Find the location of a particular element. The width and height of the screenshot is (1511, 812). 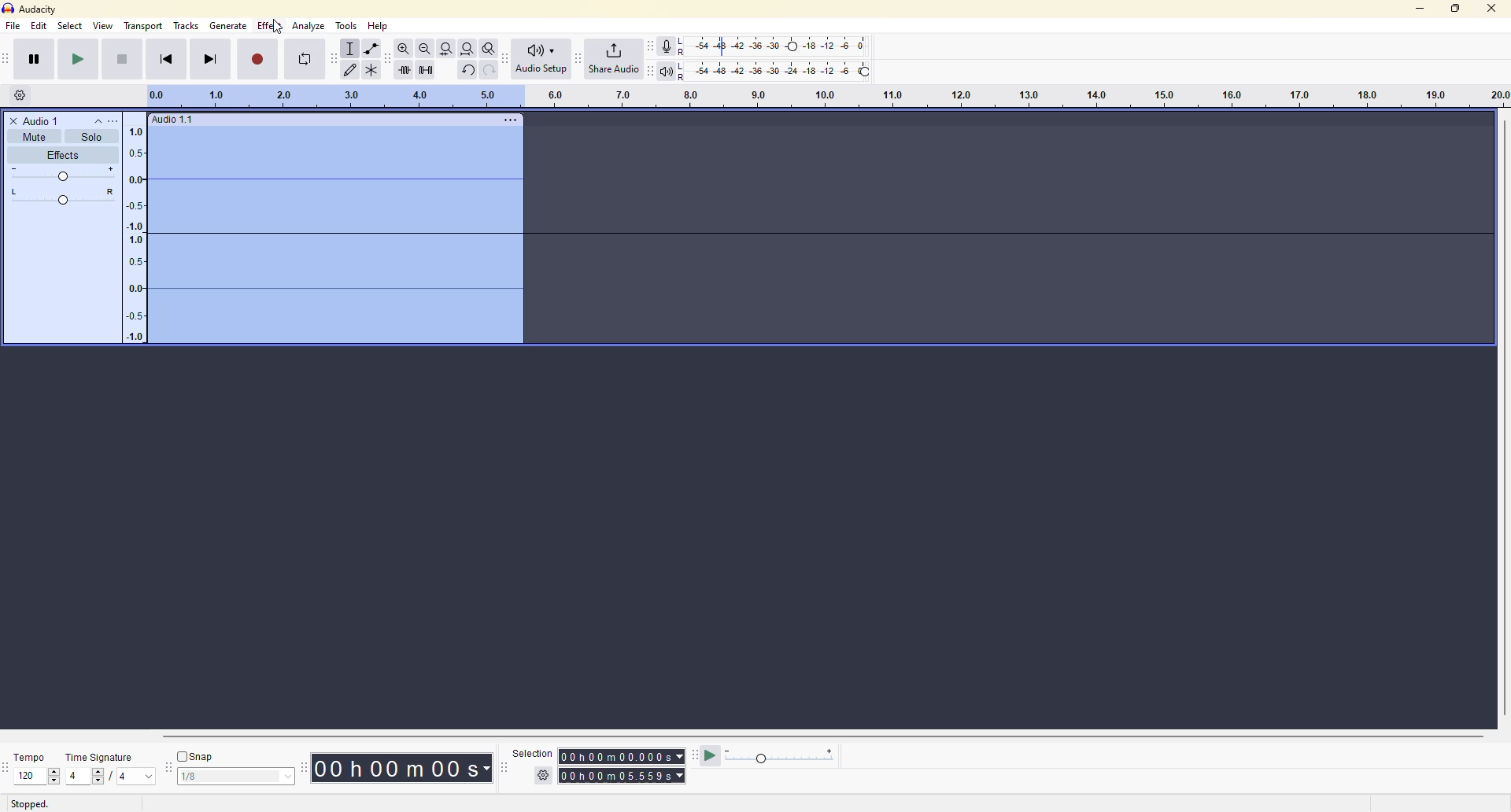

pause is located at coordinates (34, 58).